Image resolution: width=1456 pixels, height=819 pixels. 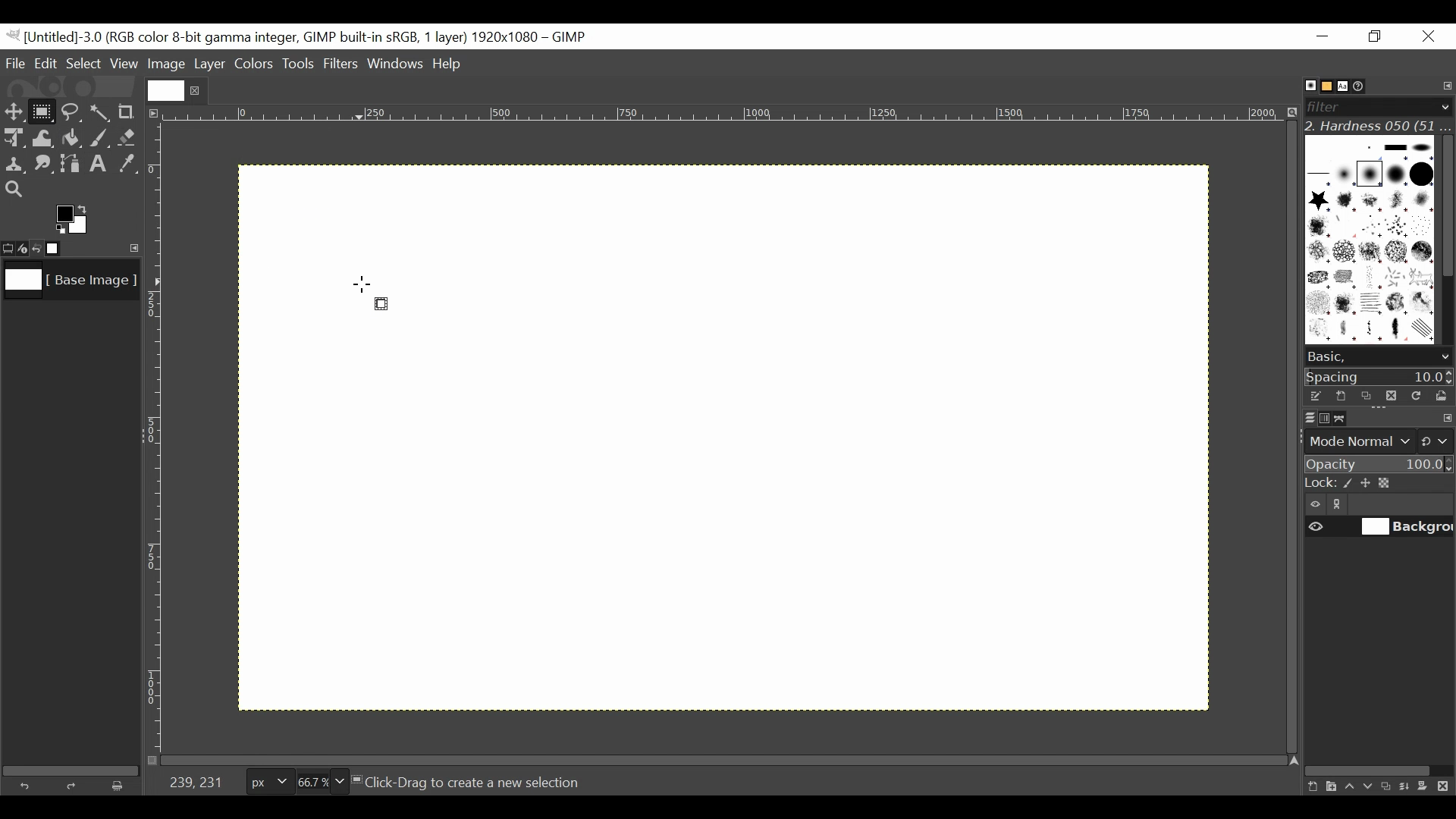 I want to click on Rectangle select, so click(x=381, y=304).